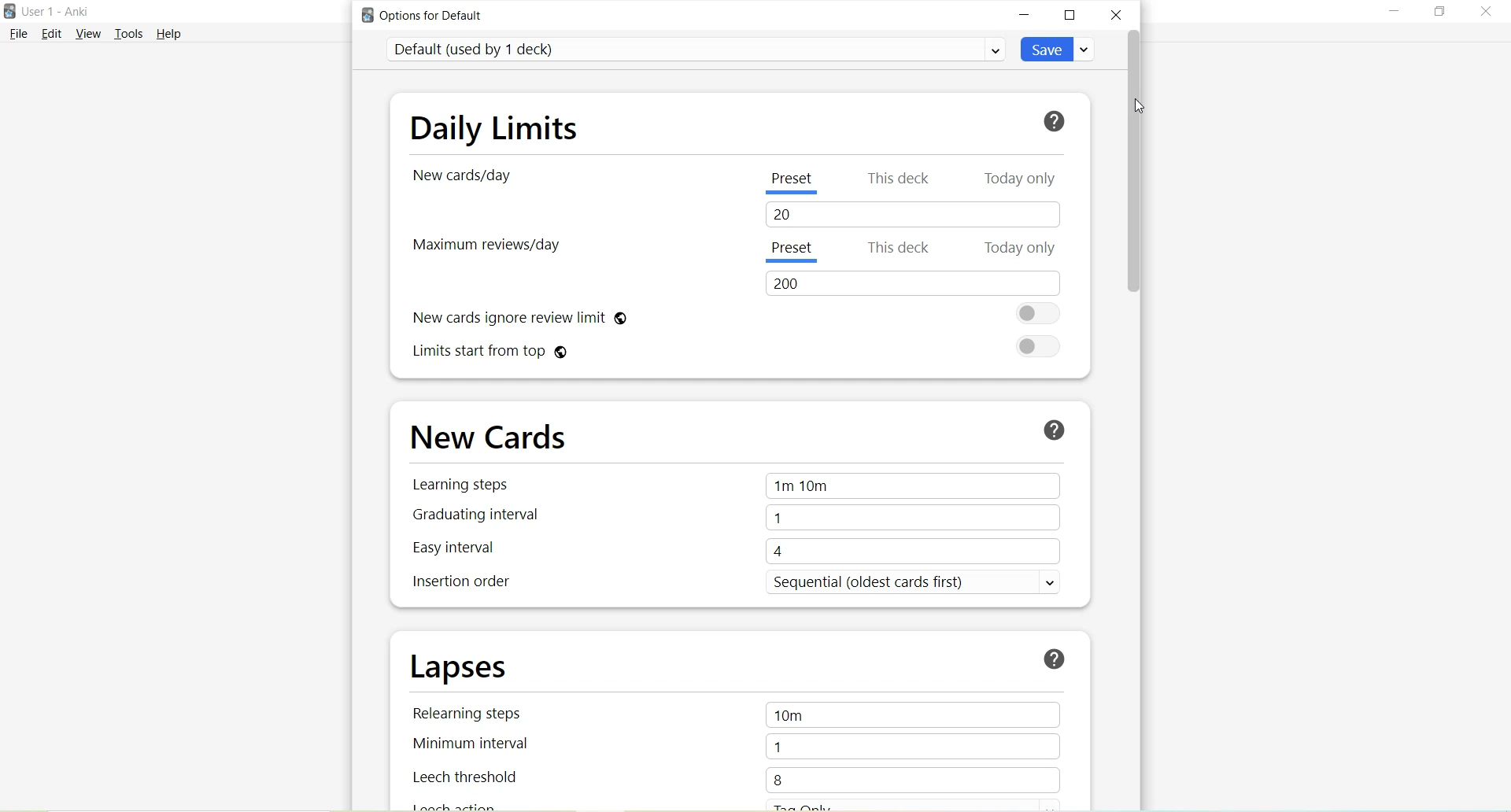 The image size is (1511, 812). Describe the element at coordinates (901, 176) in the screenshot. I see `This deck` at that location.